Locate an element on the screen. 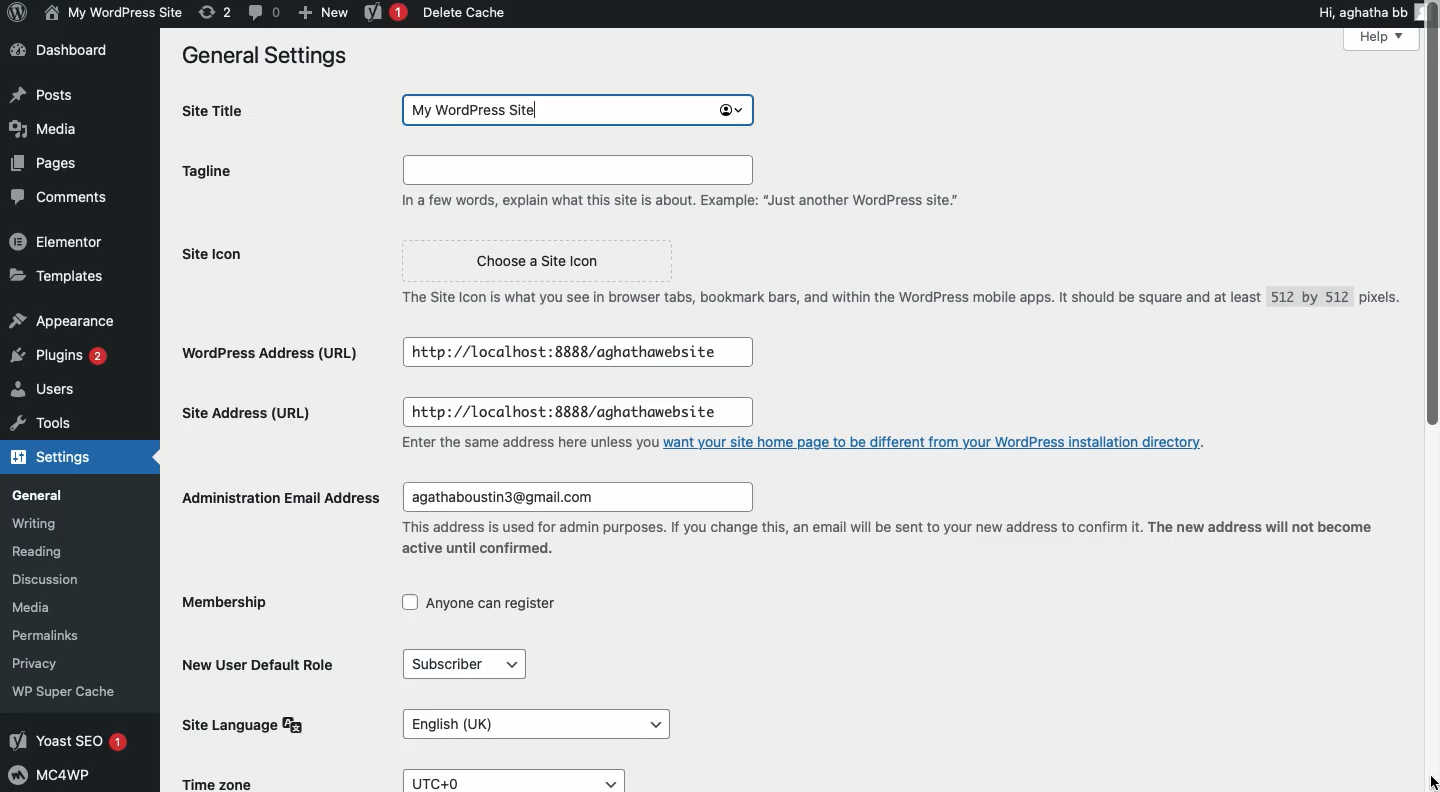 Image resolution: width=1440 pixels, height=792 pixels. http://localhost:8888/aghathawebsite is located at coordinates (578, 352).